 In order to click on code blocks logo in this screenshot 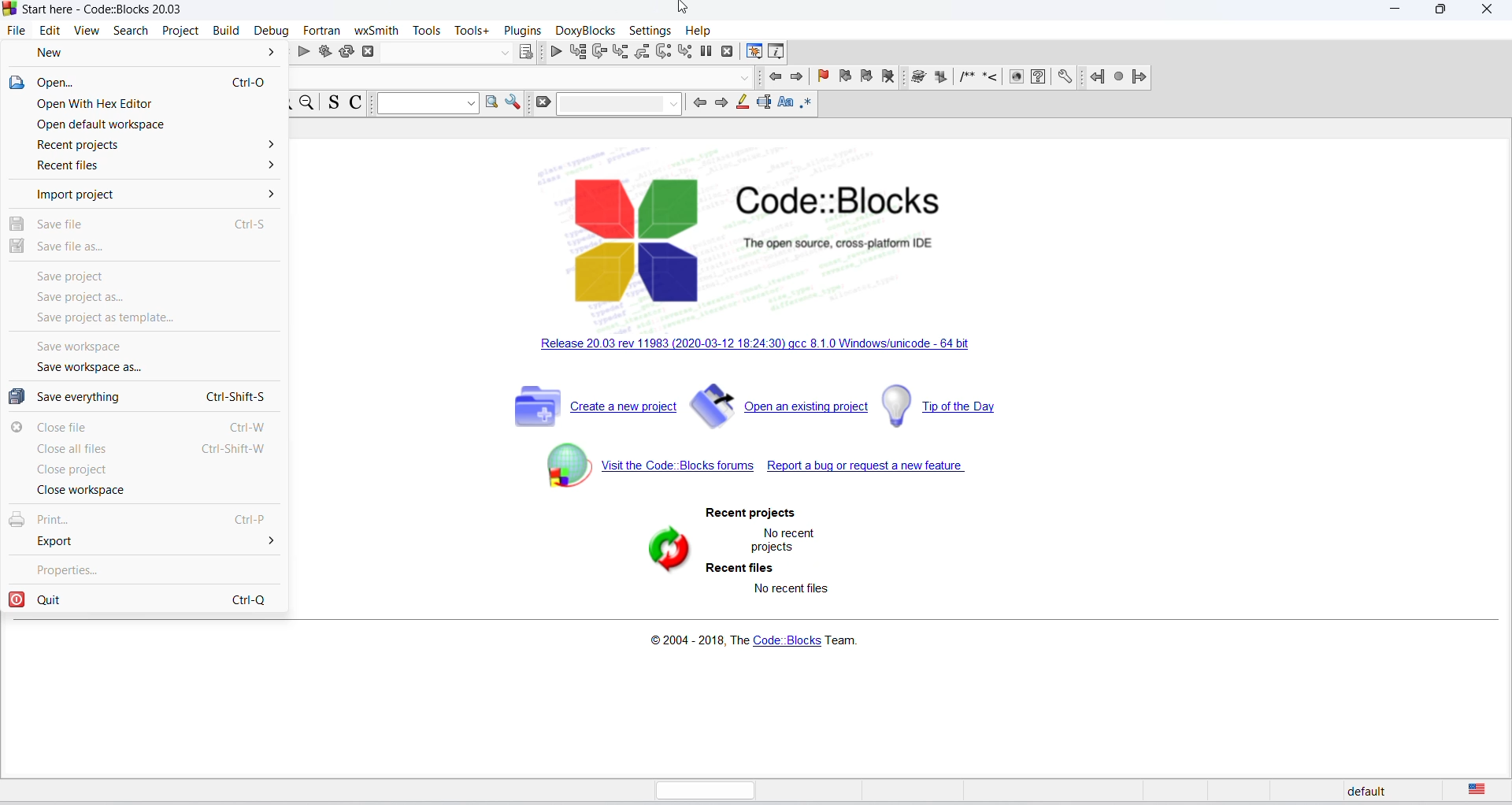, I will do `click(762, 231)`.